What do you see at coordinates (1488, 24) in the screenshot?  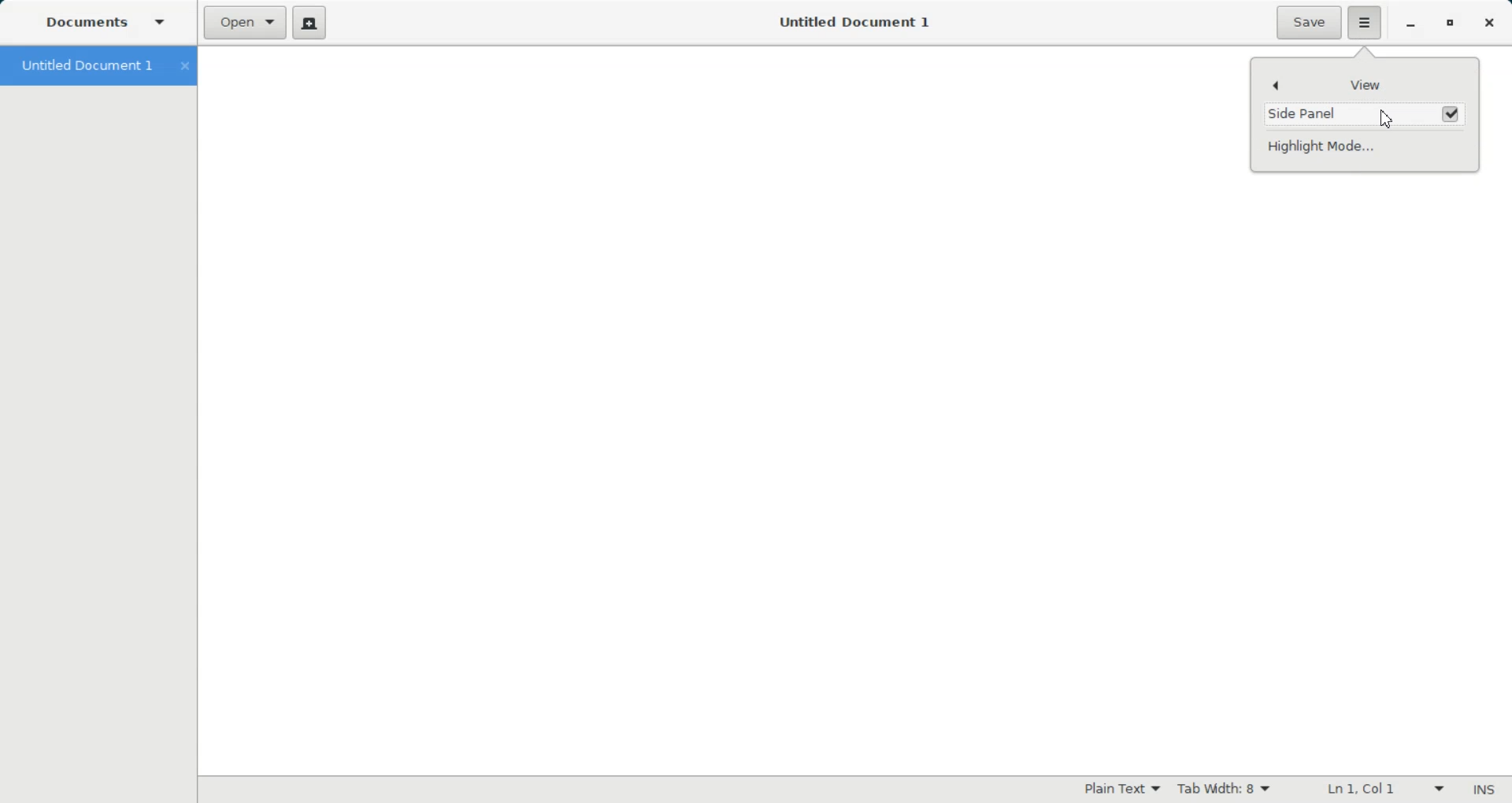 I see `Close` at bounding box center [1488, 24].